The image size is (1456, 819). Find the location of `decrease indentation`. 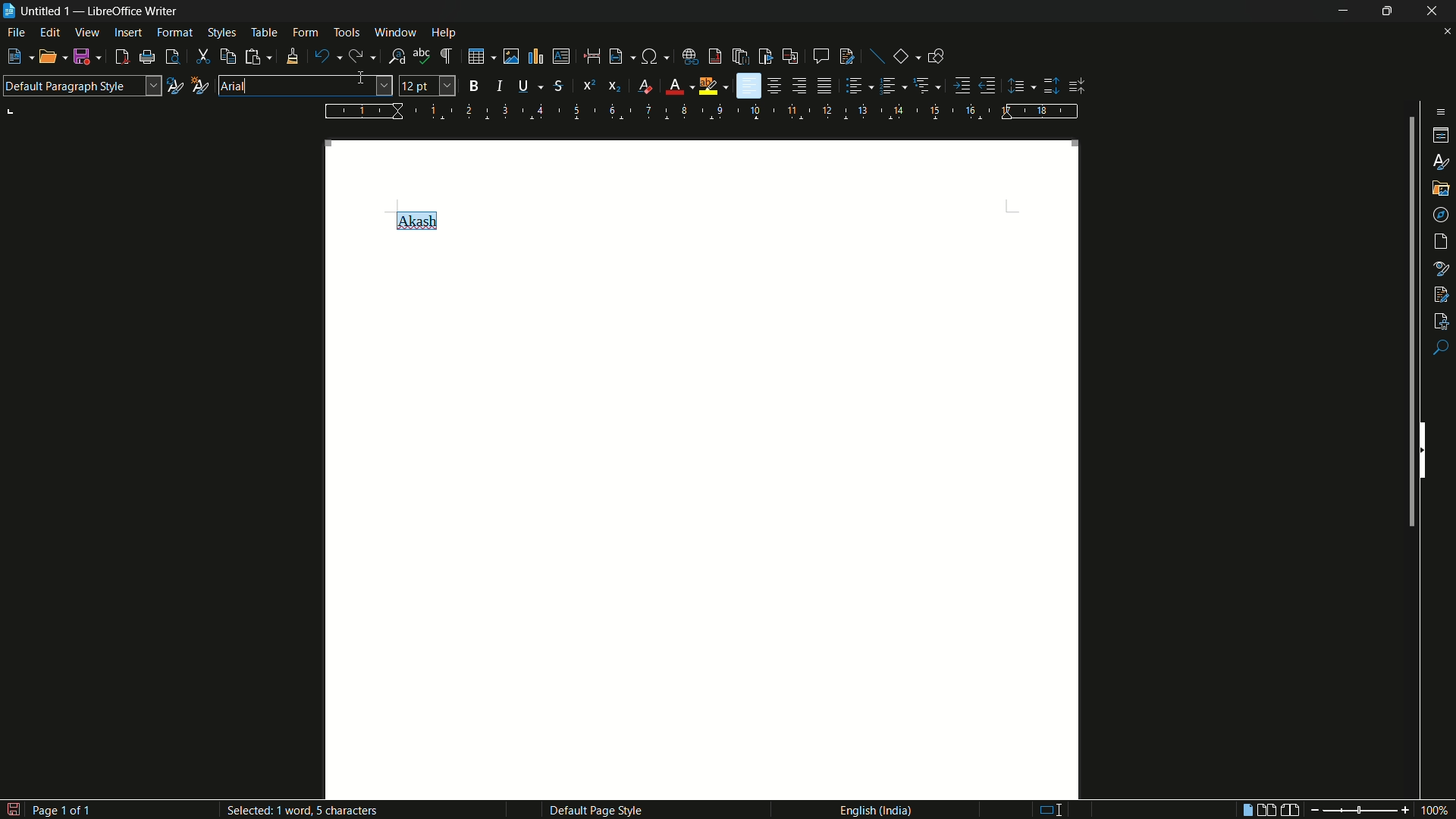

decrease indentation is located at coordinates (988, 85).